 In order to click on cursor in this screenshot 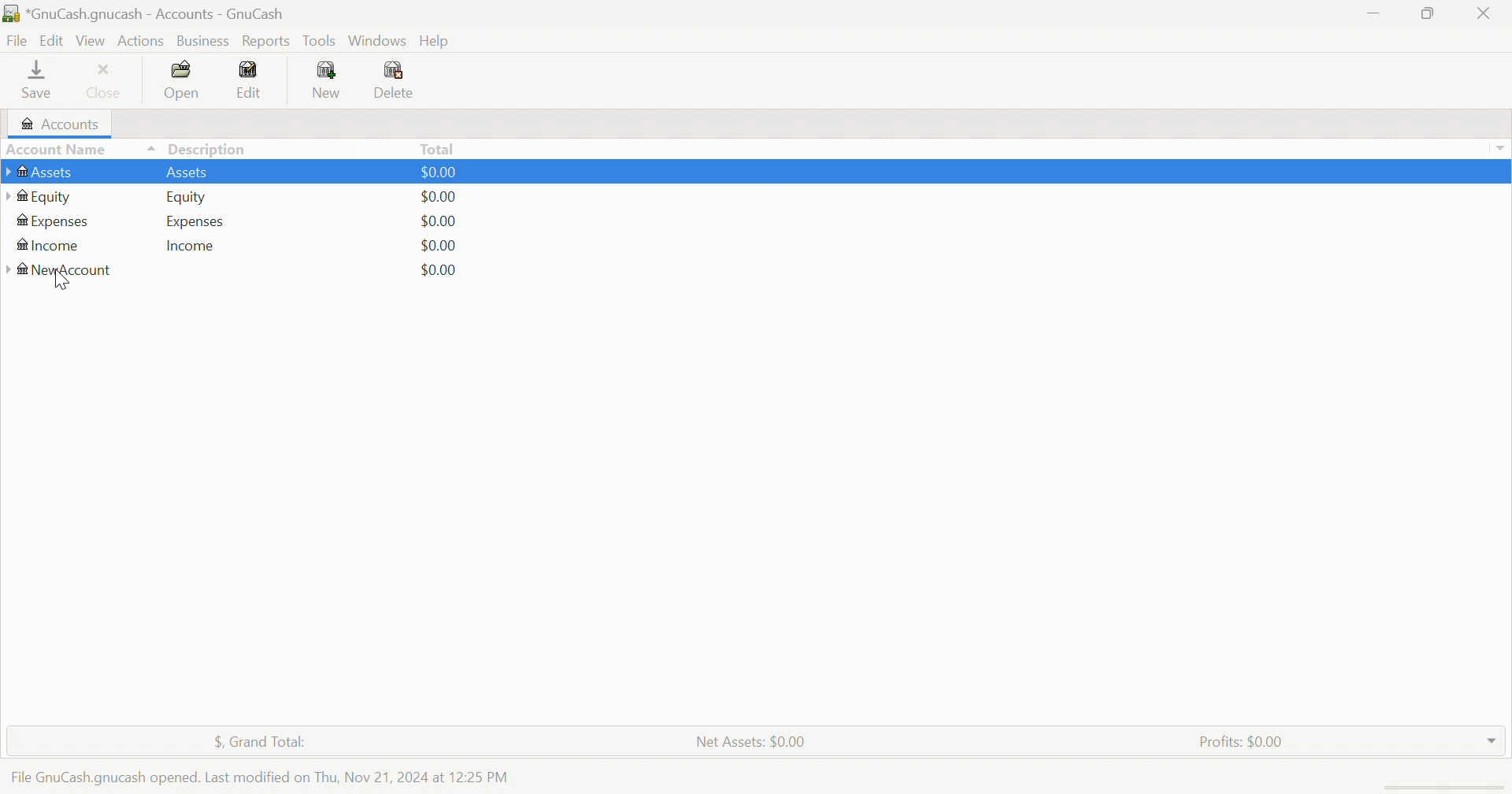, I will do `click(60, 283)`.